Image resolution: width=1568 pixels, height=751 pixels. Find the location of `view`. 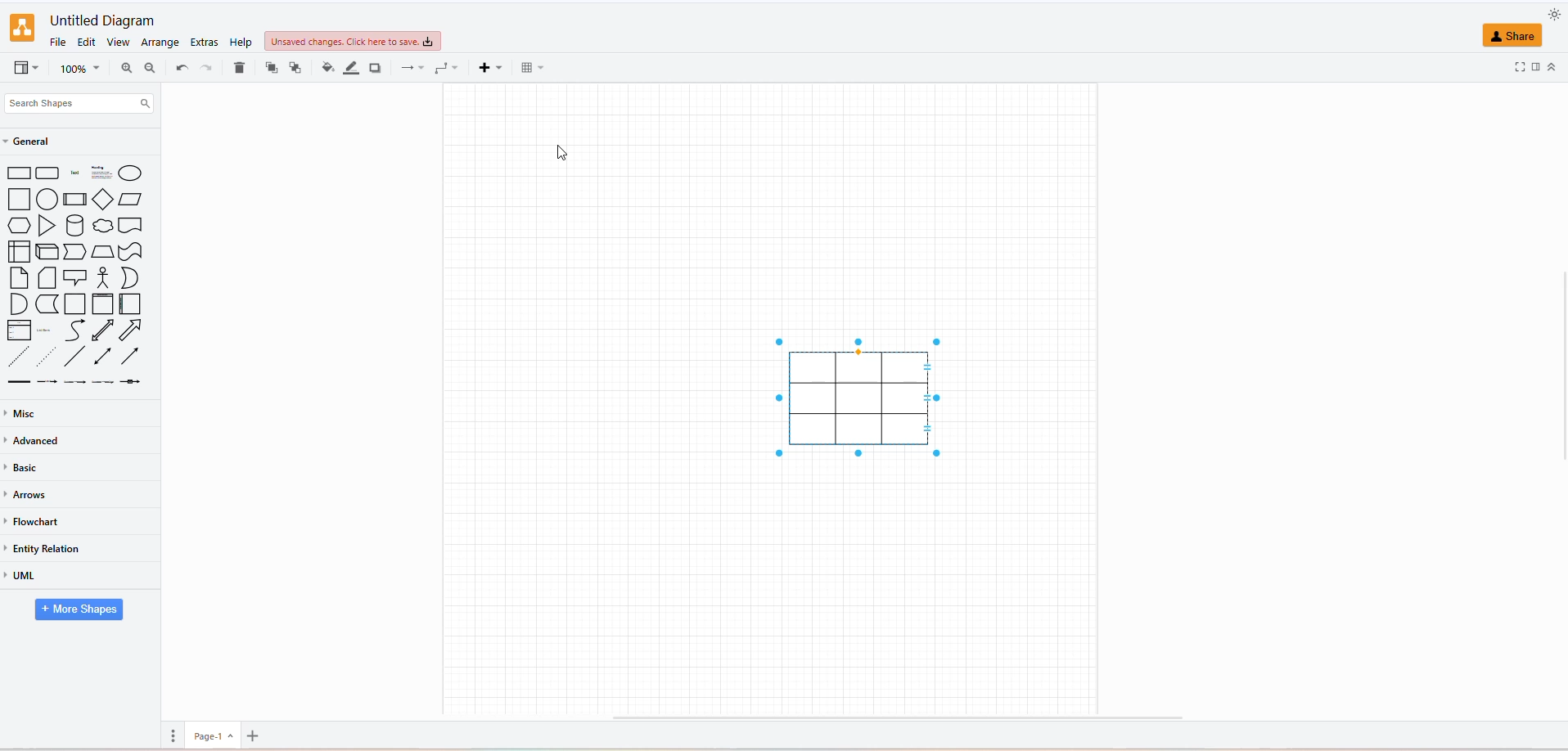

view is located at coordinates (24, 71).